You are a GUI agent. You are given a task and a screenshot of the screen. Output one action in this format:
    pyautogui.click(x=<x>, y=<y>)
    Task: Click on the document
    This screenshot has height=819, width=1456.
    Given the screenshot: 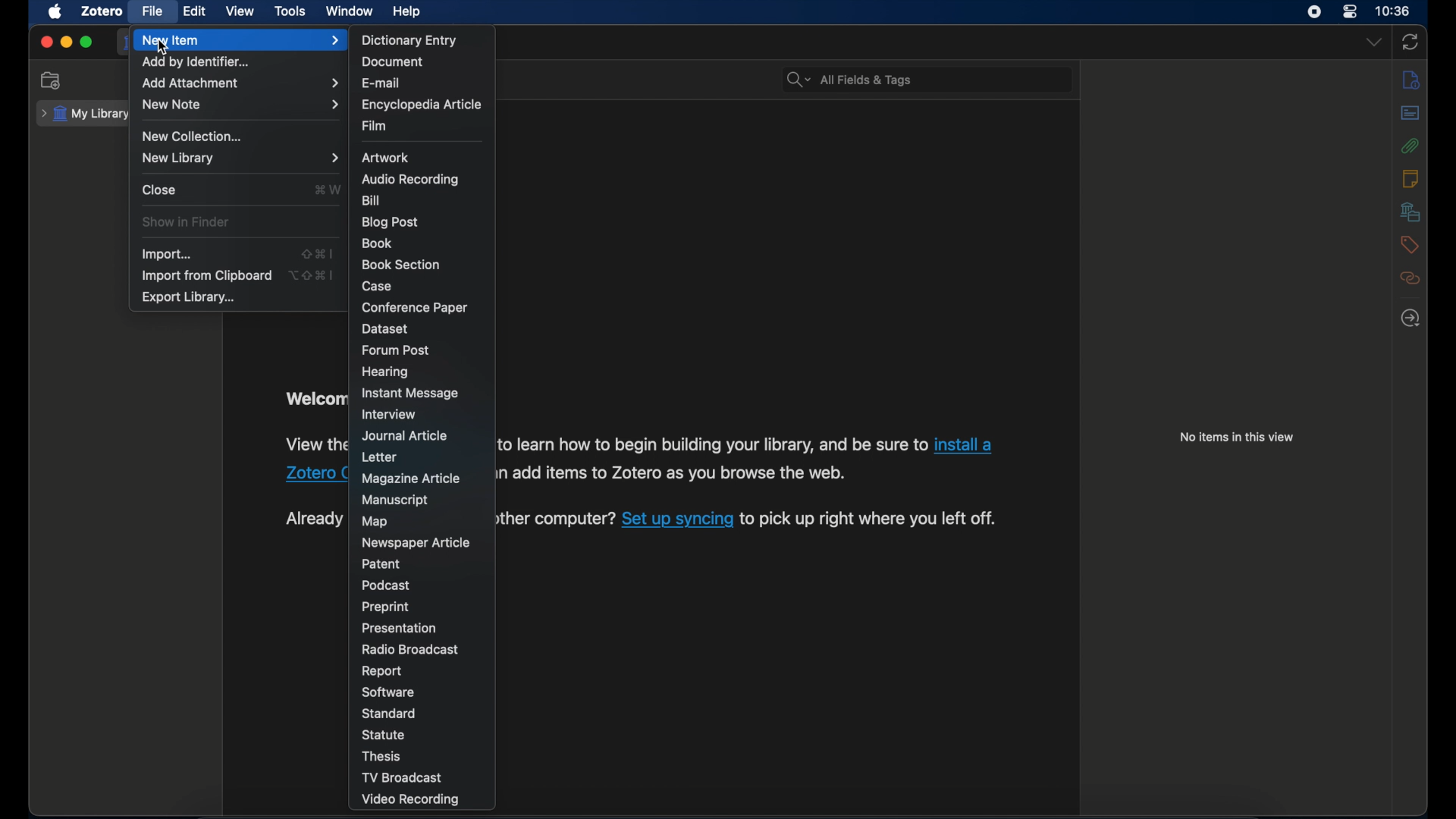 What is the action you would take?
    pyautogui.click(x=391, y=61)
    